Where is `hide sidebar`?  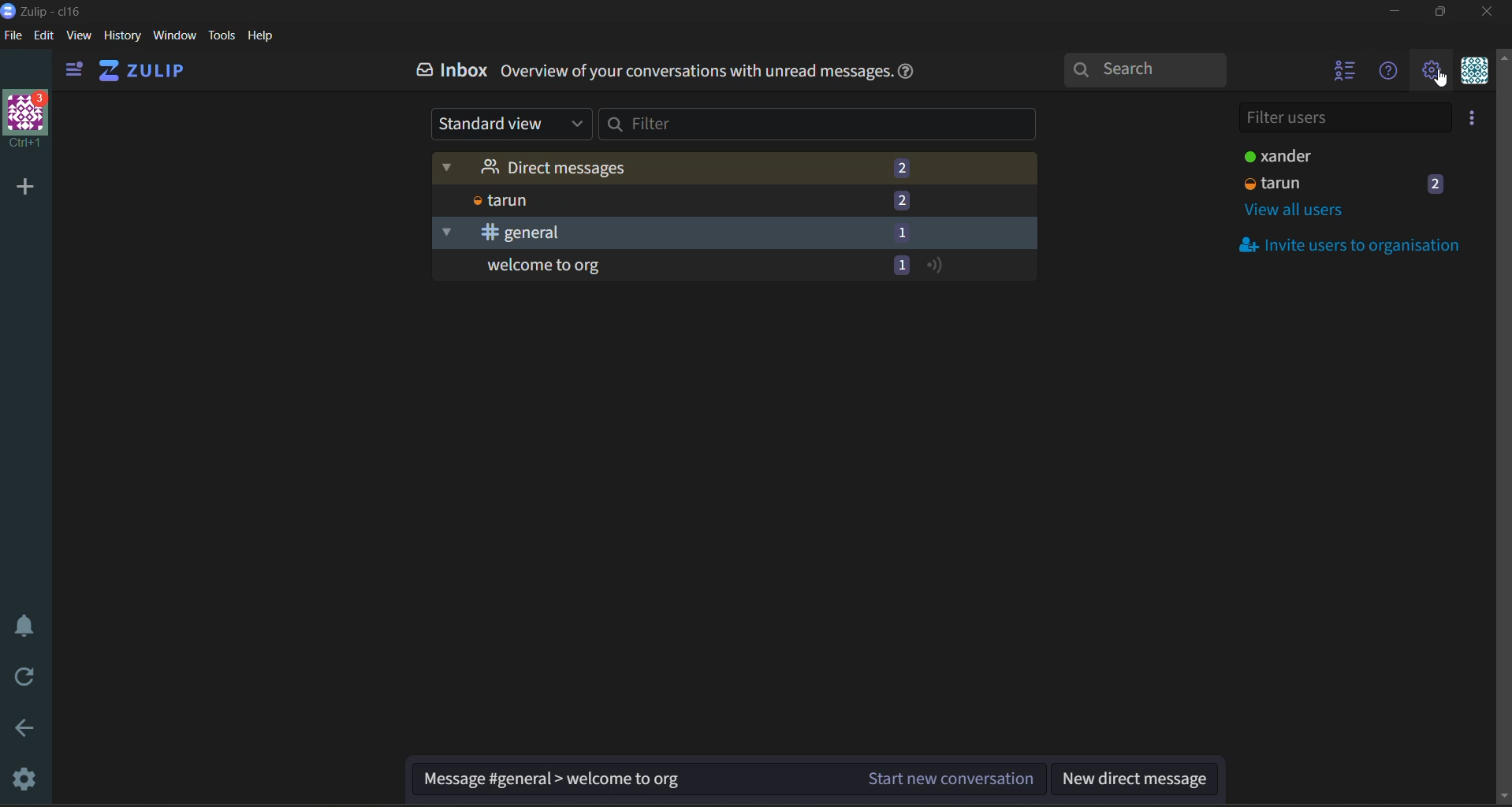 hide sidebar is located at coordinates (75, 71).